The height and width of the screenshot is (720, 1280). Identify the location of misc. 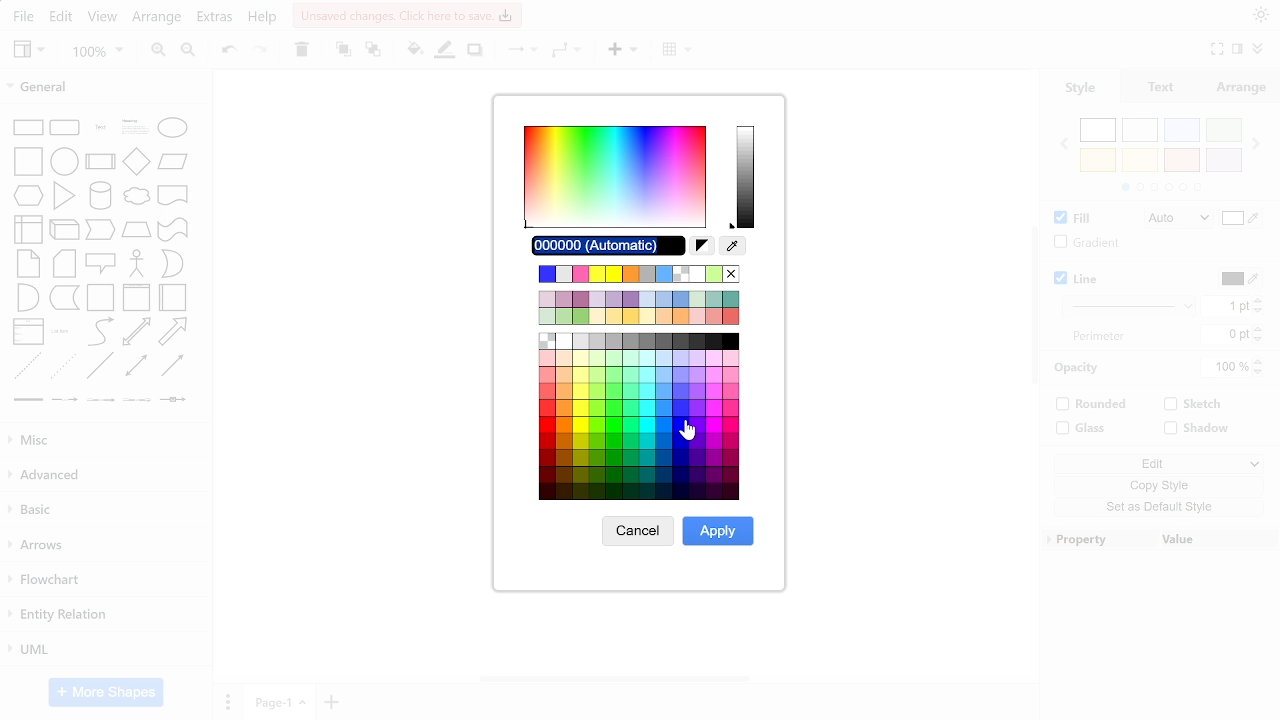
(102, 439).